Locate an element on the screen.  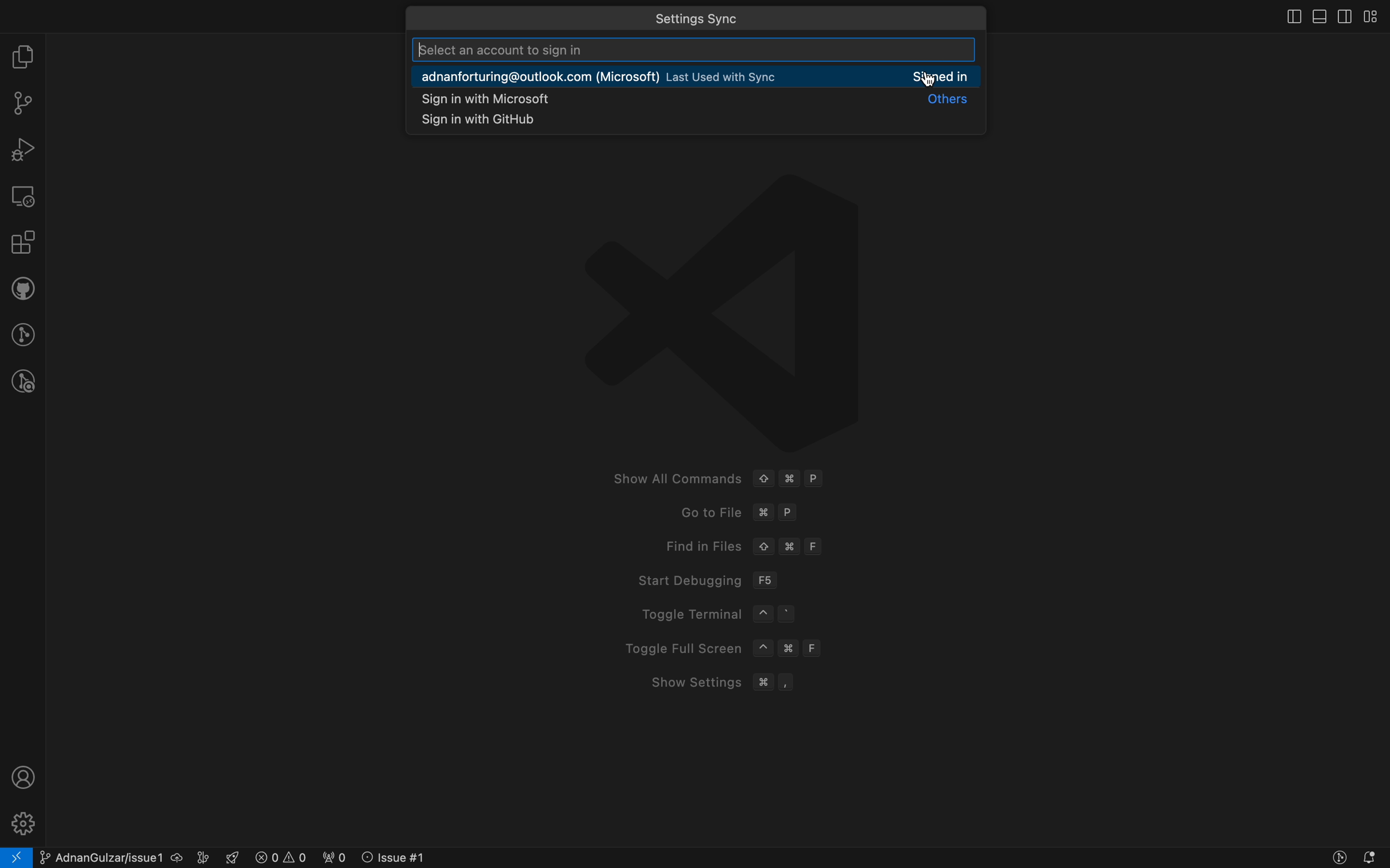
toggle secondary bar is located at coordinates (1344, 16).